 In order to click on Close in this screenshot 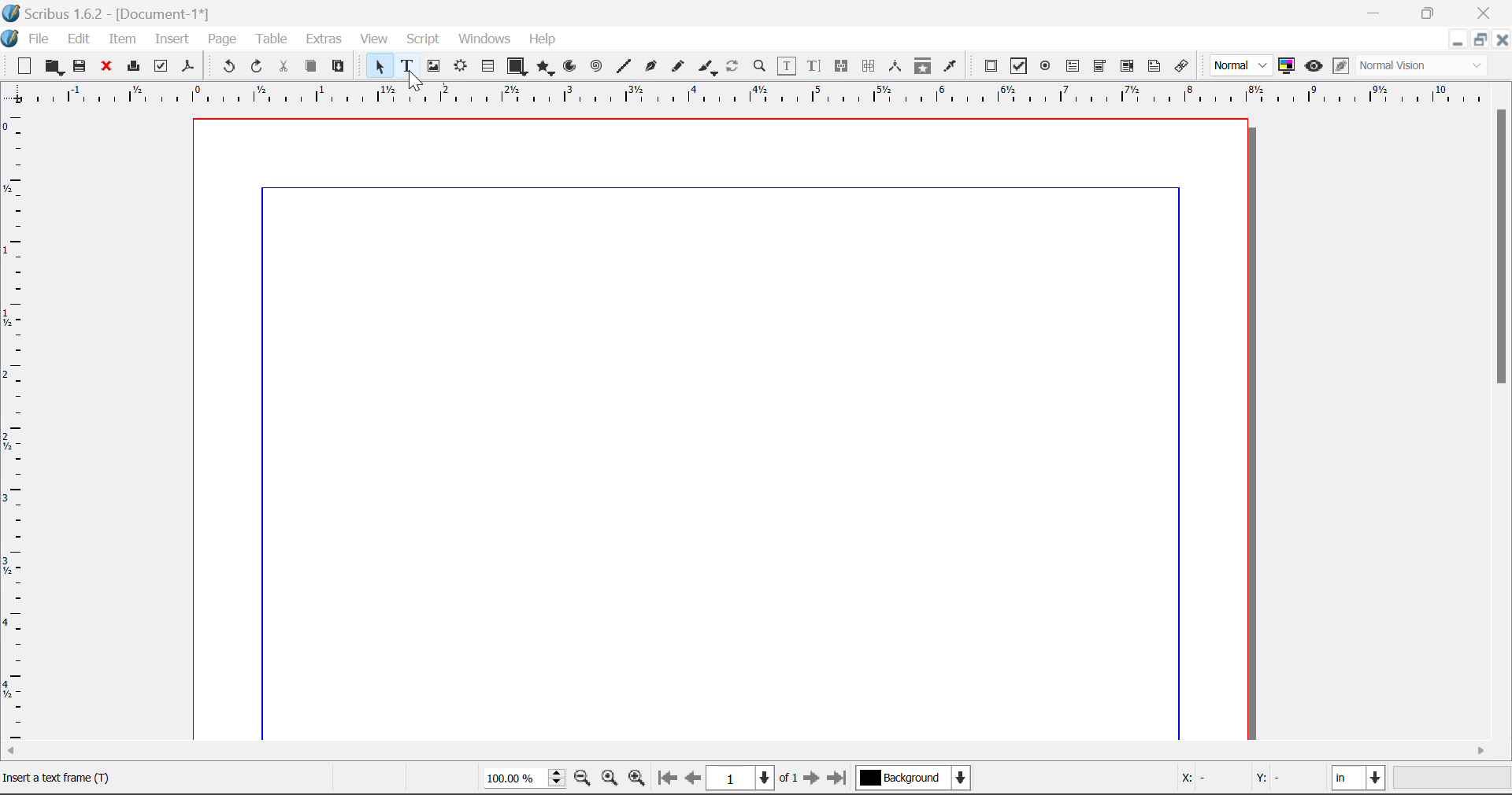, I will do `click(1503, 39)`.